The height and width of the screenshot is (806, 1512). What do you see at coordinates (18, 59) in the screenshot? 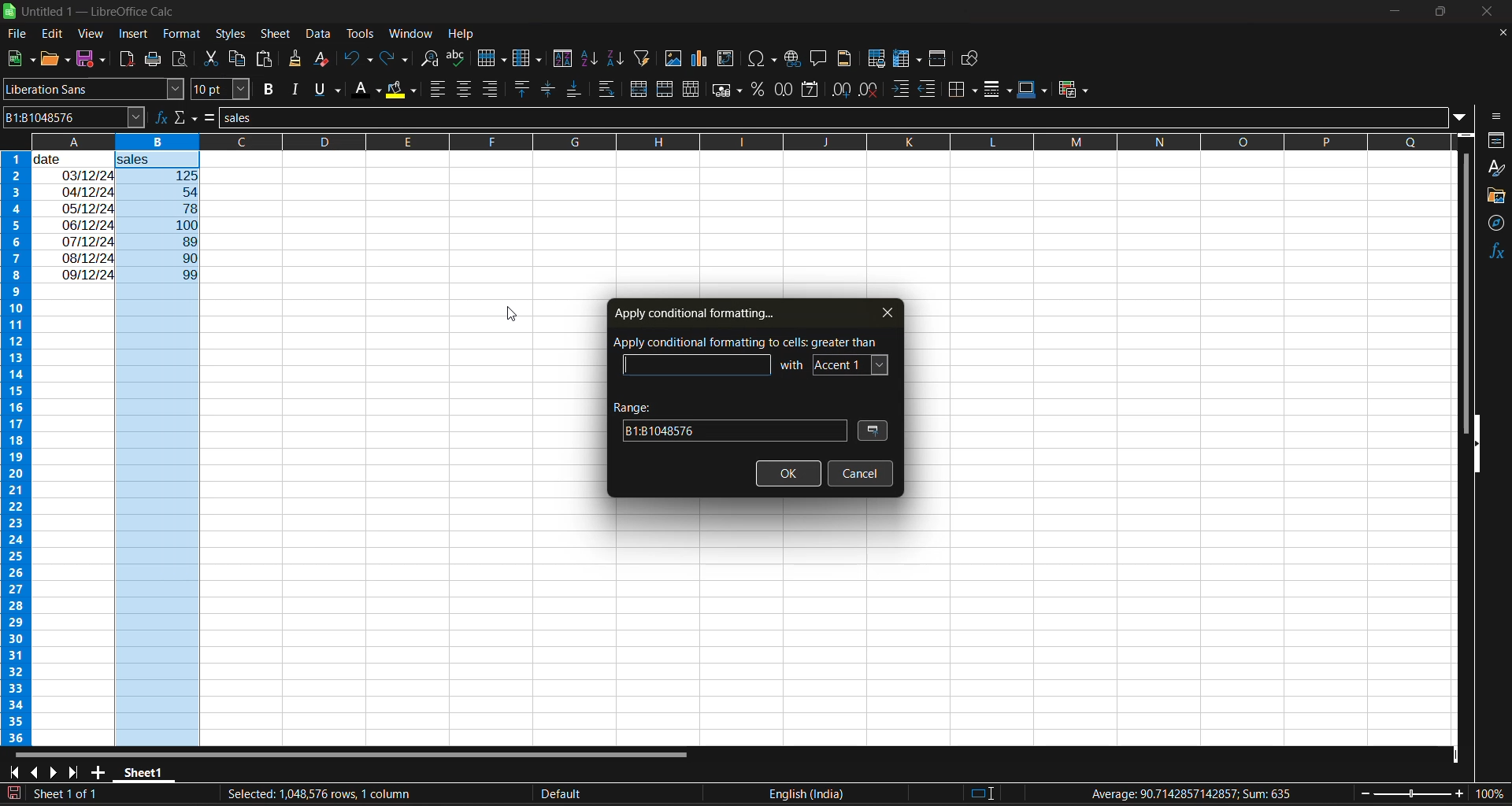
I see `new` at bounding box center [18, 59].